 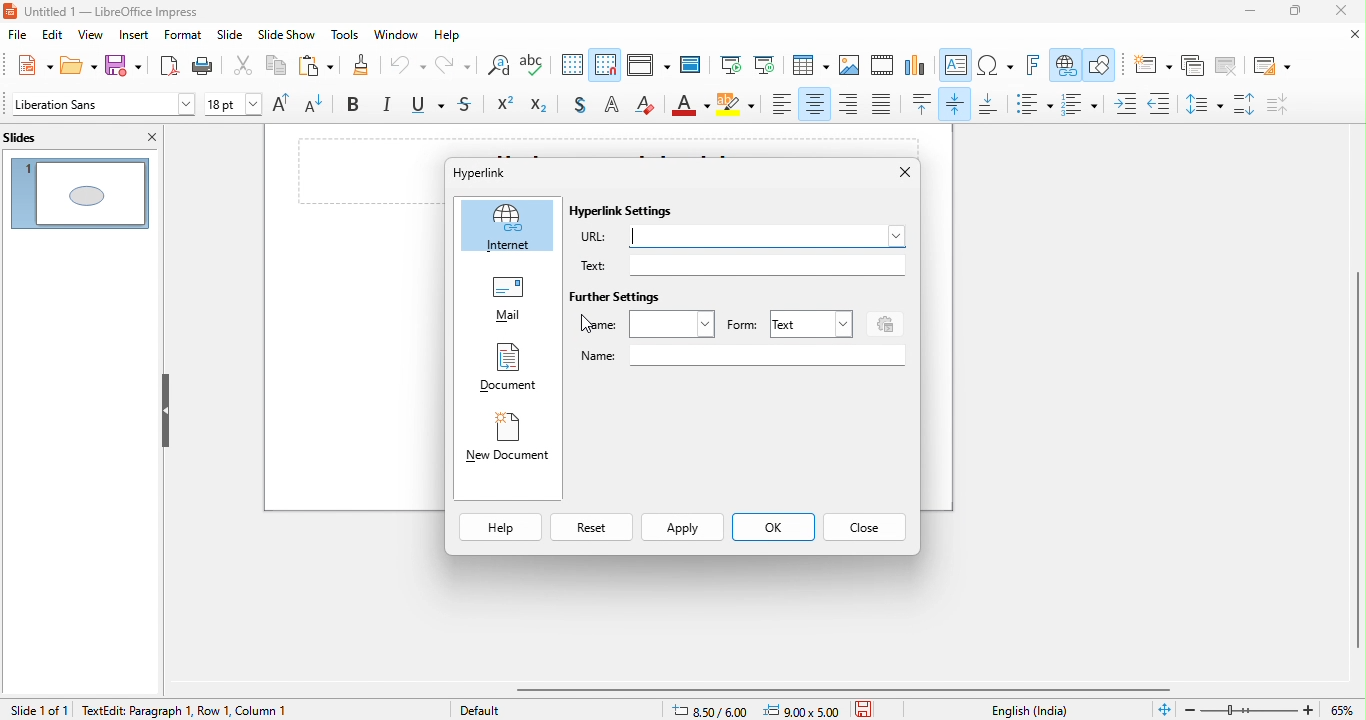 What do you see at coordinates (38, 136) in the screenshot?
I see `slides` at bounding box center [38, 136].